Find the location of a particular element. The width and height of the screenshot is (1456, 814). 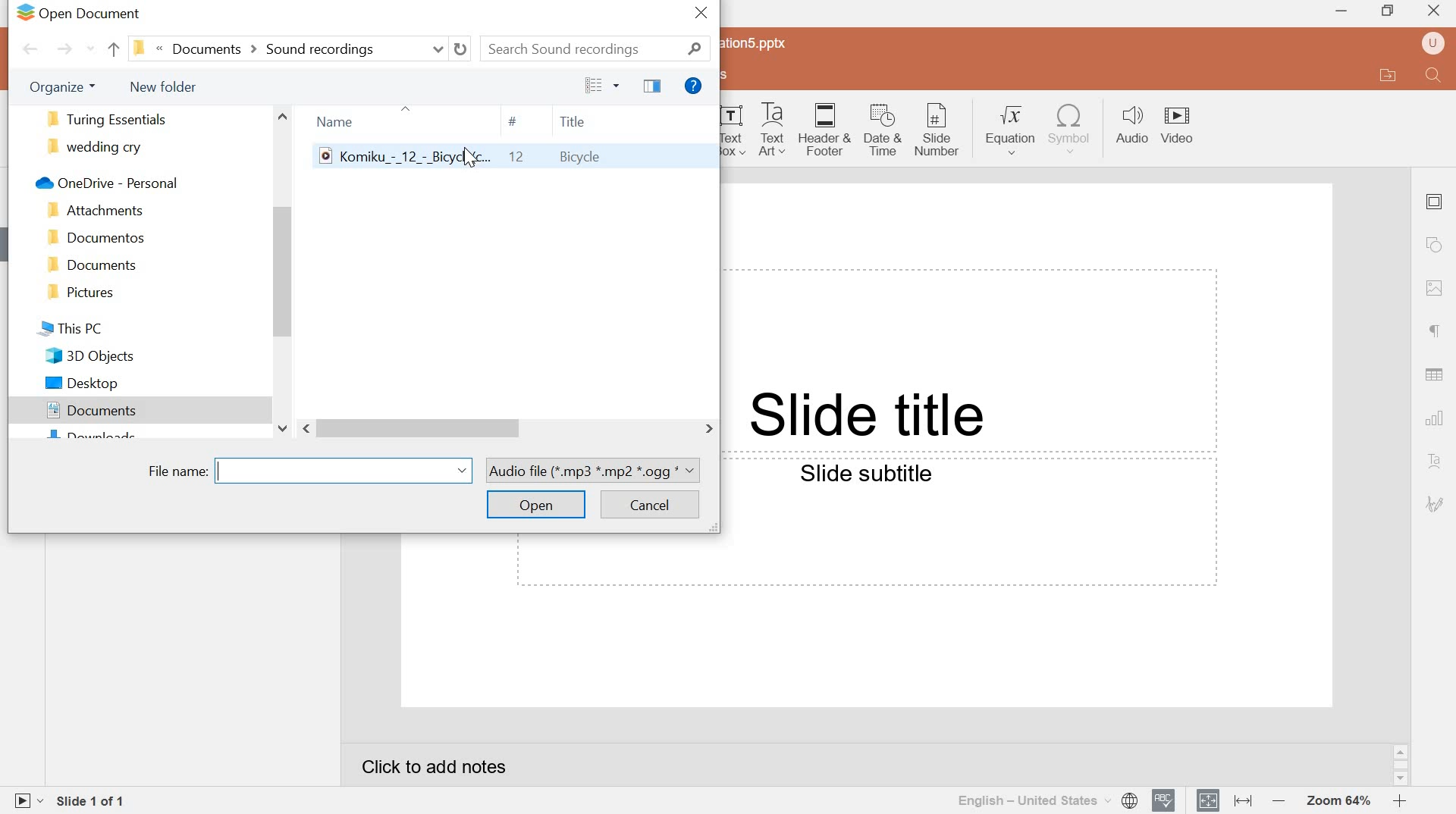

Fit to width is located at coordinates (1242, 800).